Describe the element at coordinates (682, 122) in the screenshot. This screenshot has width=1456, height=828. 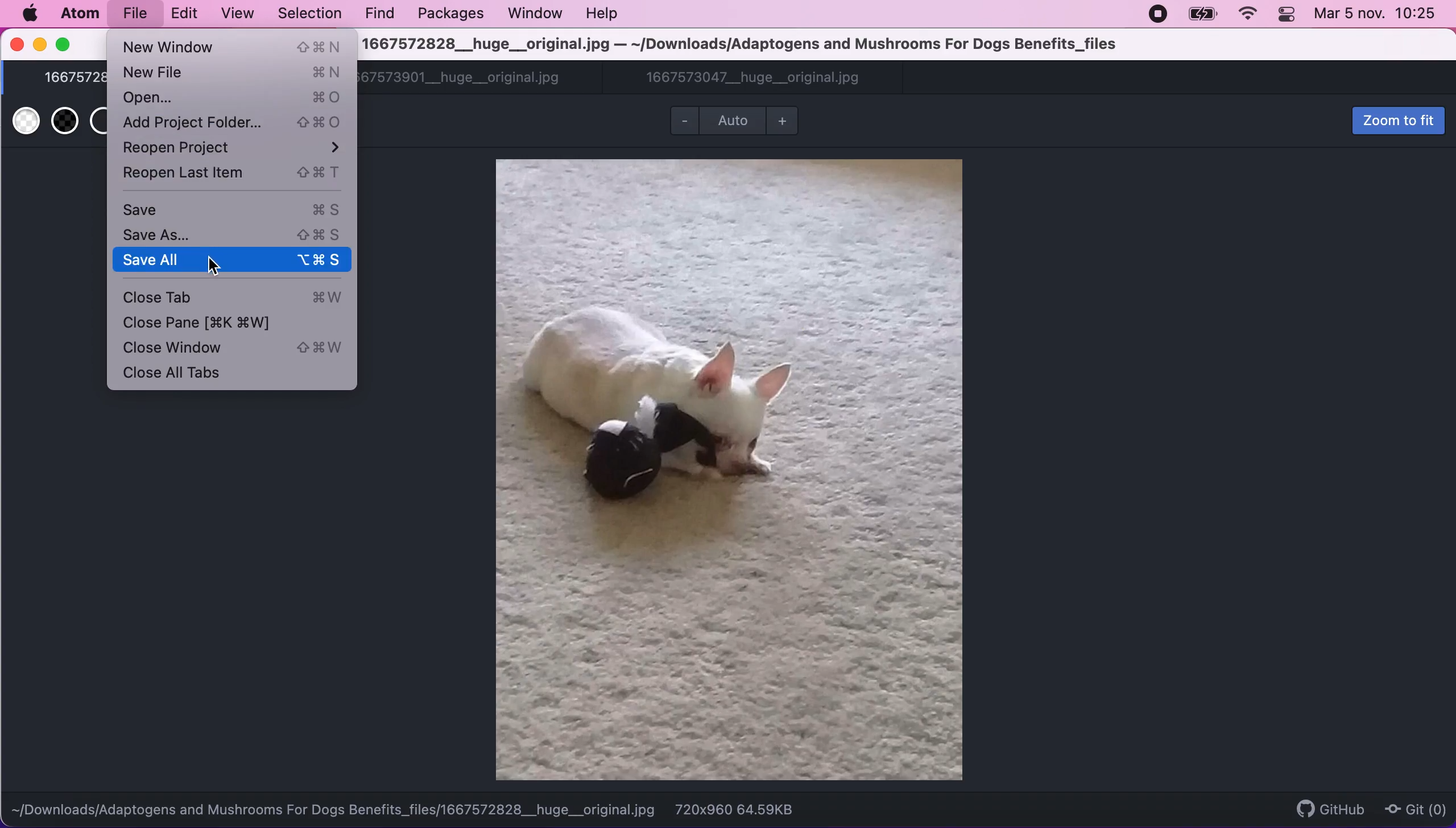
I see `zoom out` at that location.